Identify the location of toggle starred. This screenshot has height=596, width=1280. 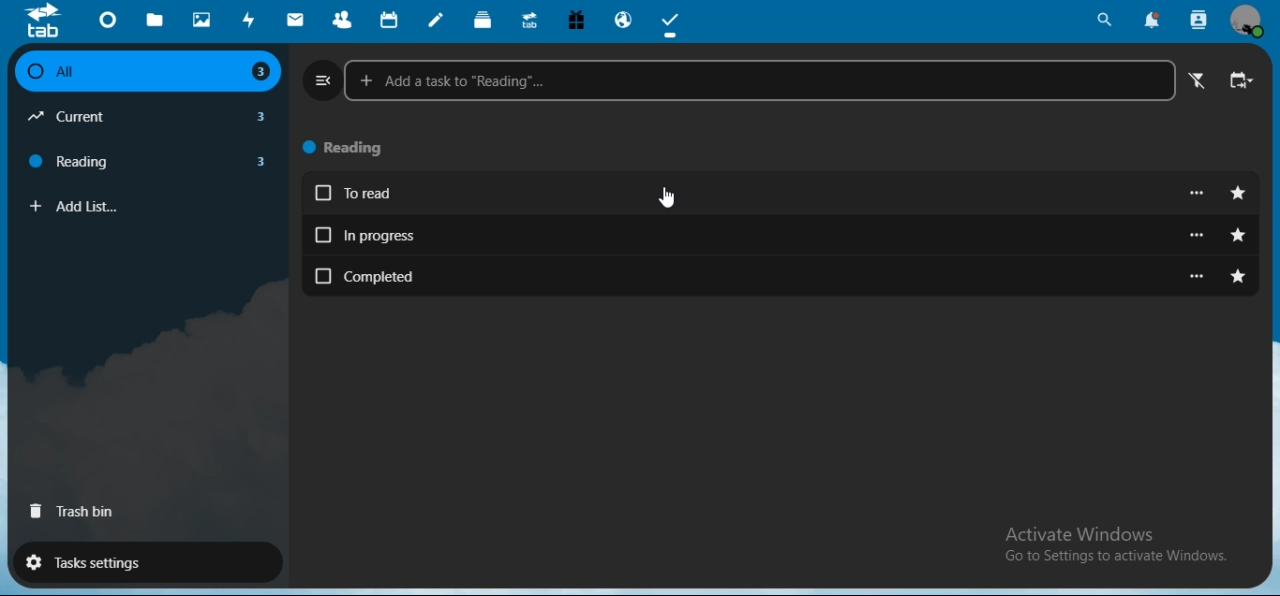
(1240, 278).